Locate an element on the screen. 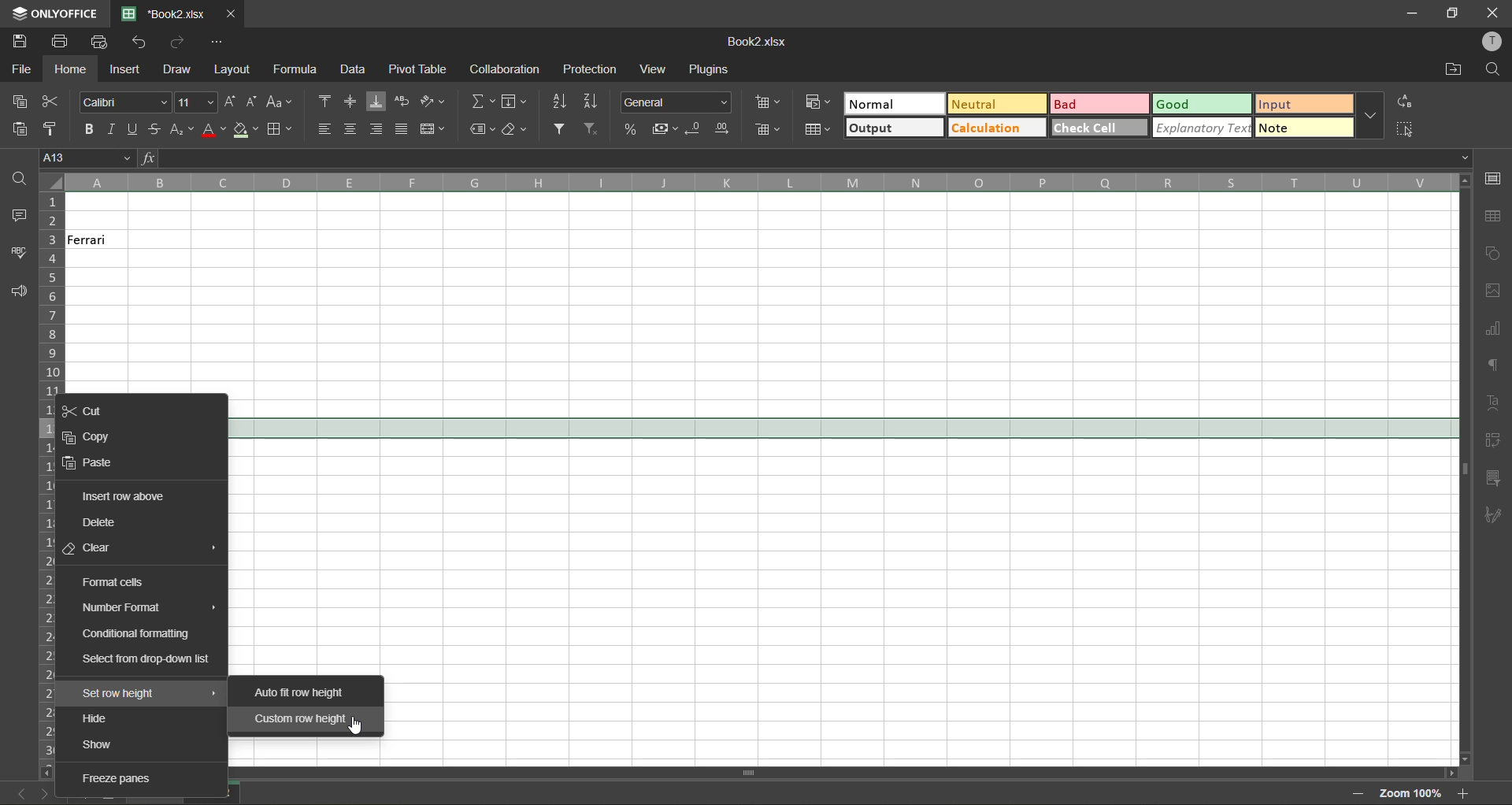  select all is located at coordinates (1403, 129).